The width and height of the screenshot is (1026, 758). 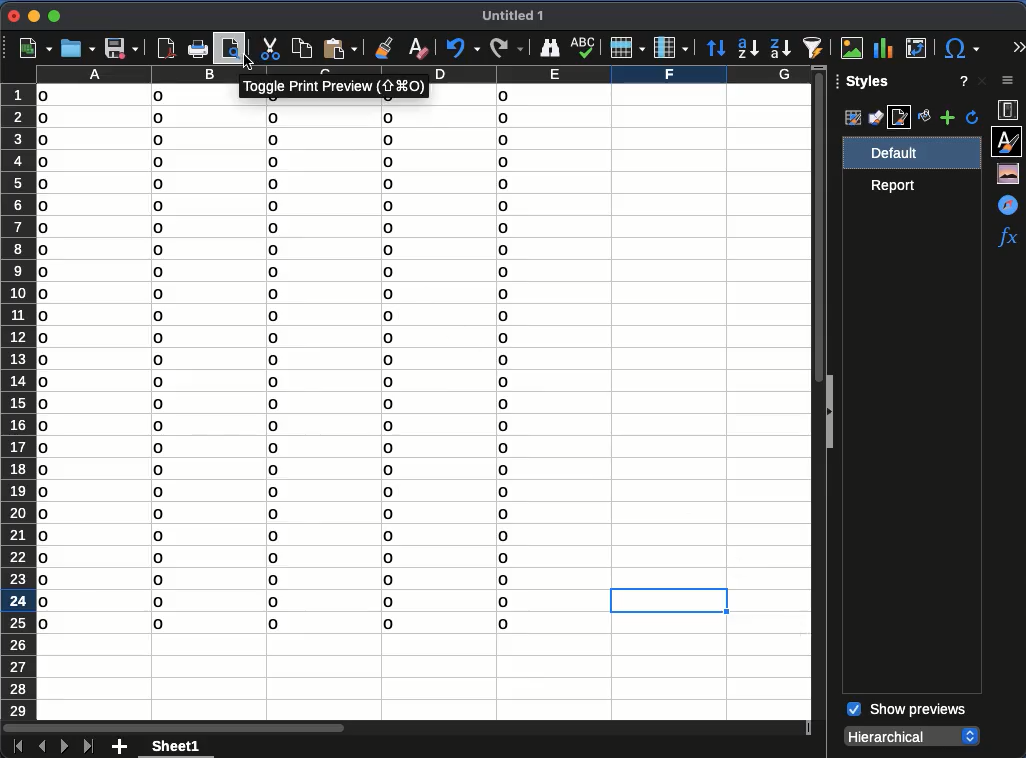 What do you see at coordinates (198, 49) in the screenshot?
I see `print` at bounding box center [198, 49].